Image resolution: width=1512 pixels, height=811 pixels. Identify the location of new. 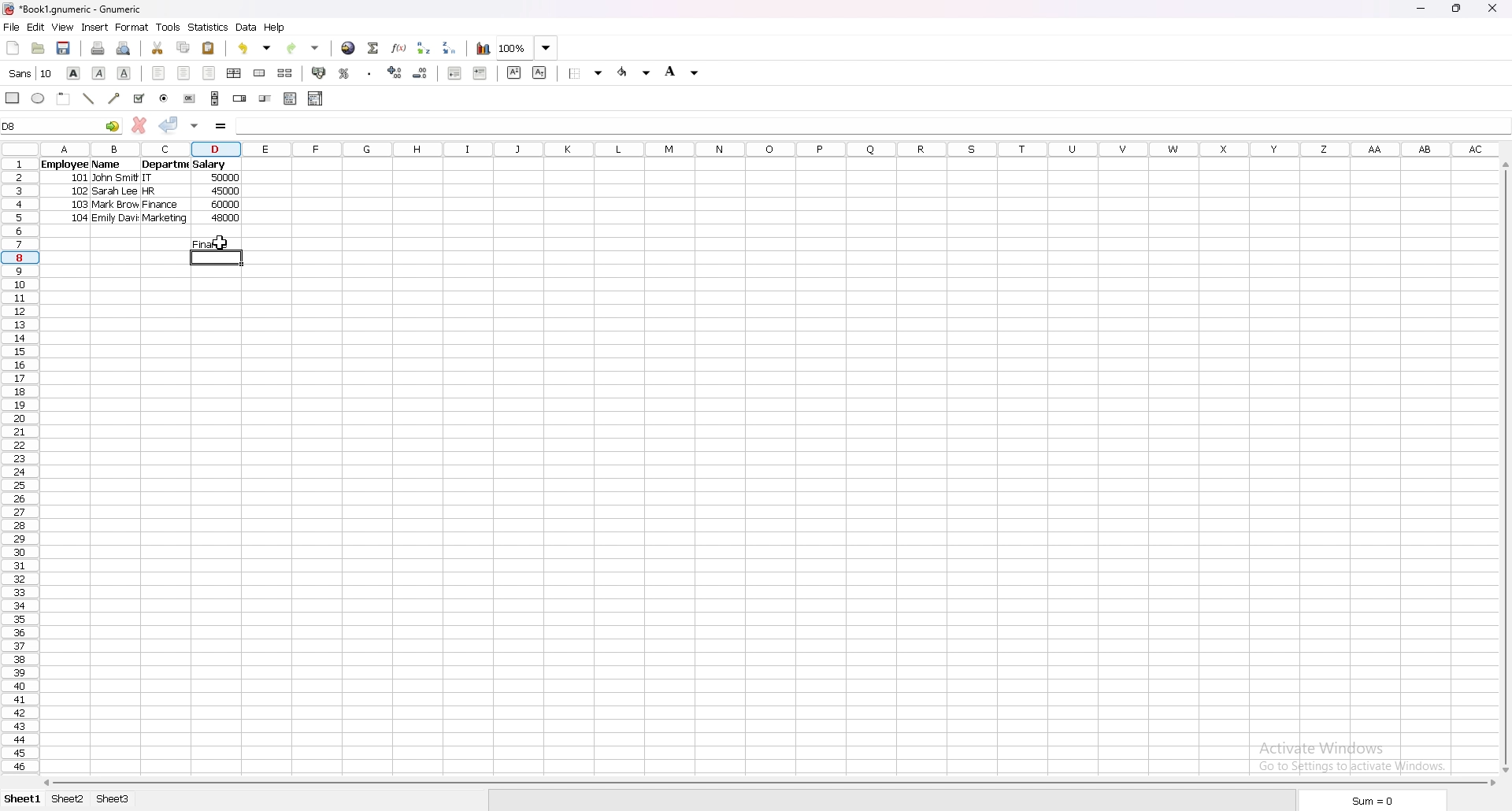
(13, 48).